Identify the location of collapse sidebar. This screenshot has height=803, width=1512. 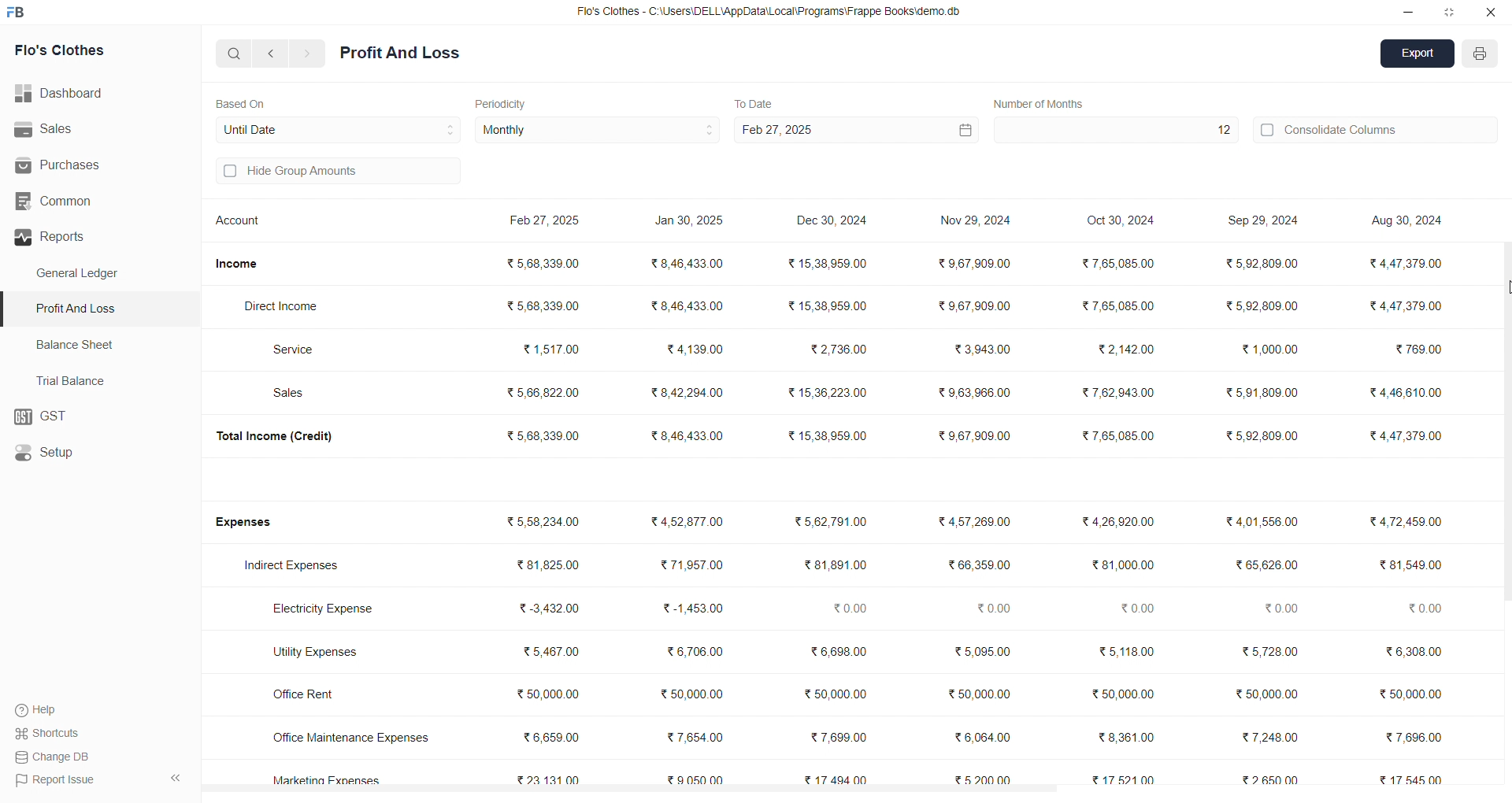
(175, 779).